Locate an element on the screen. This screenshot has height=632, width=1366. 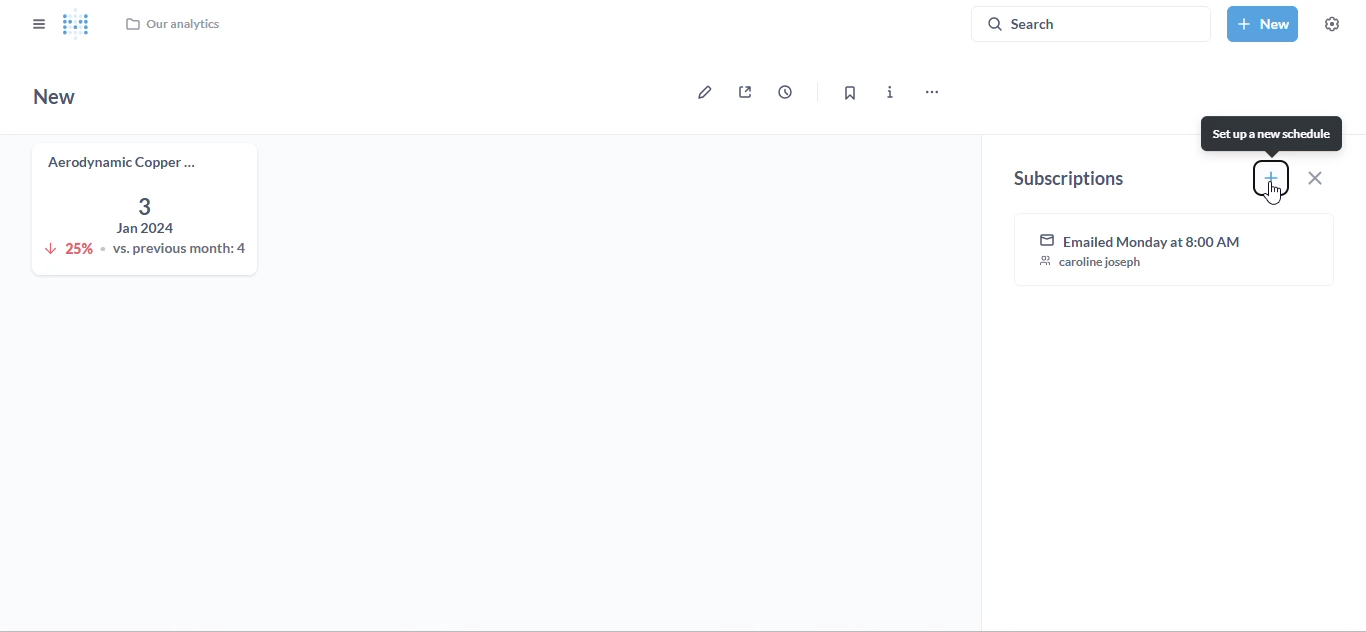
bookmark is located at coordinates (849, 93).